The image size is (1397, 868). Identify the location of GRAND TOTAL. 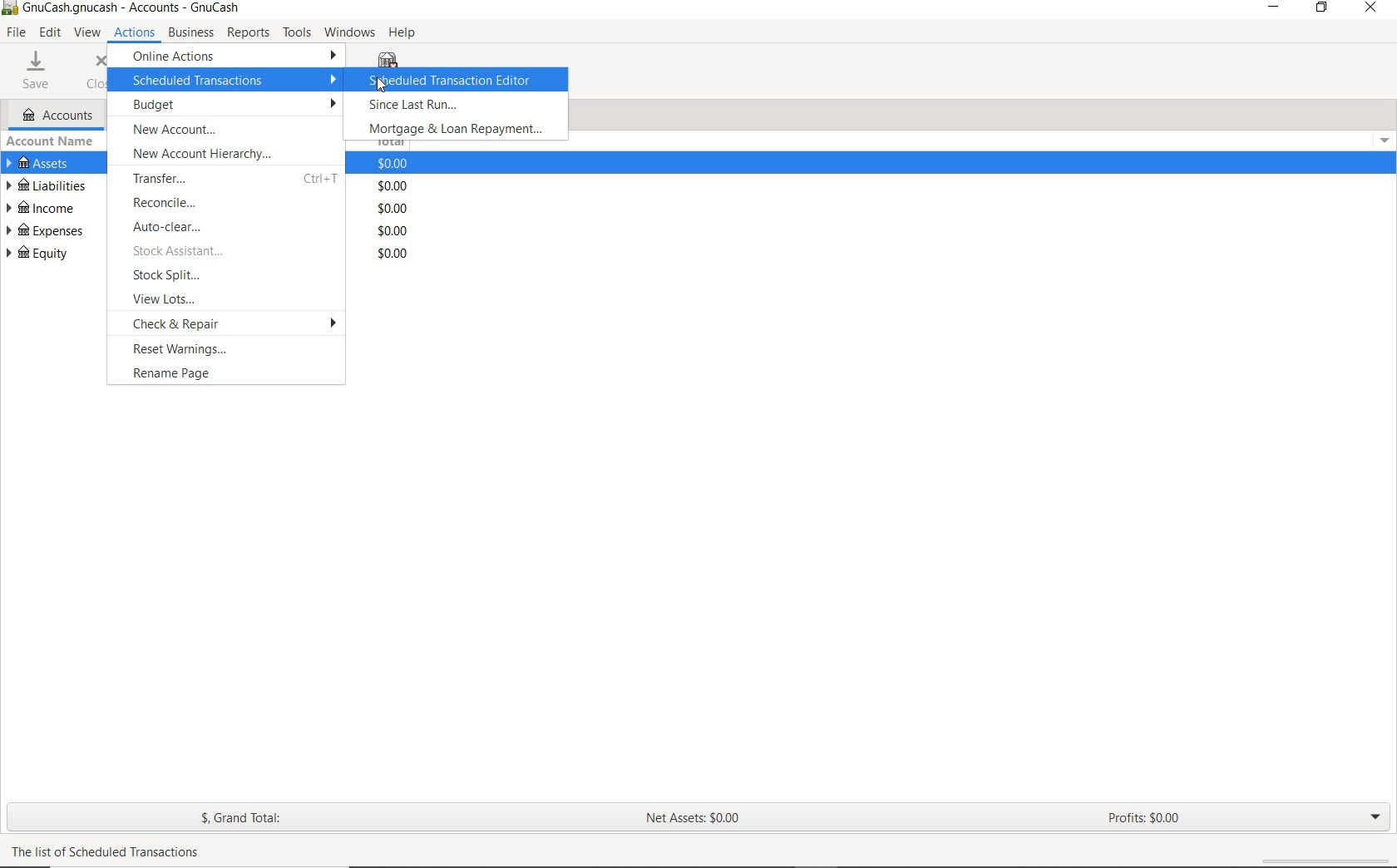
(242, 818).